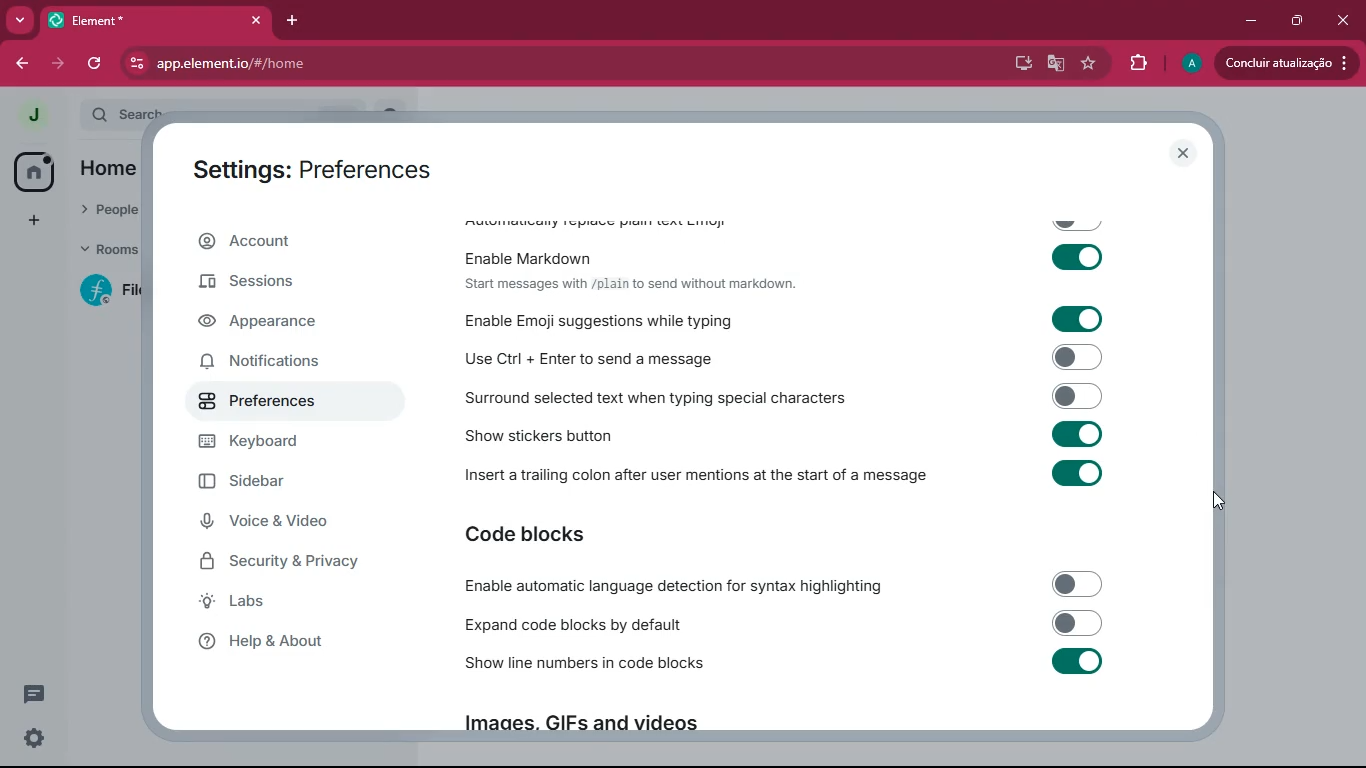 The image size is (1366, 768). Describe the element at coordinates (1088, 65) in the screenshot. I see `favourite` at that location.